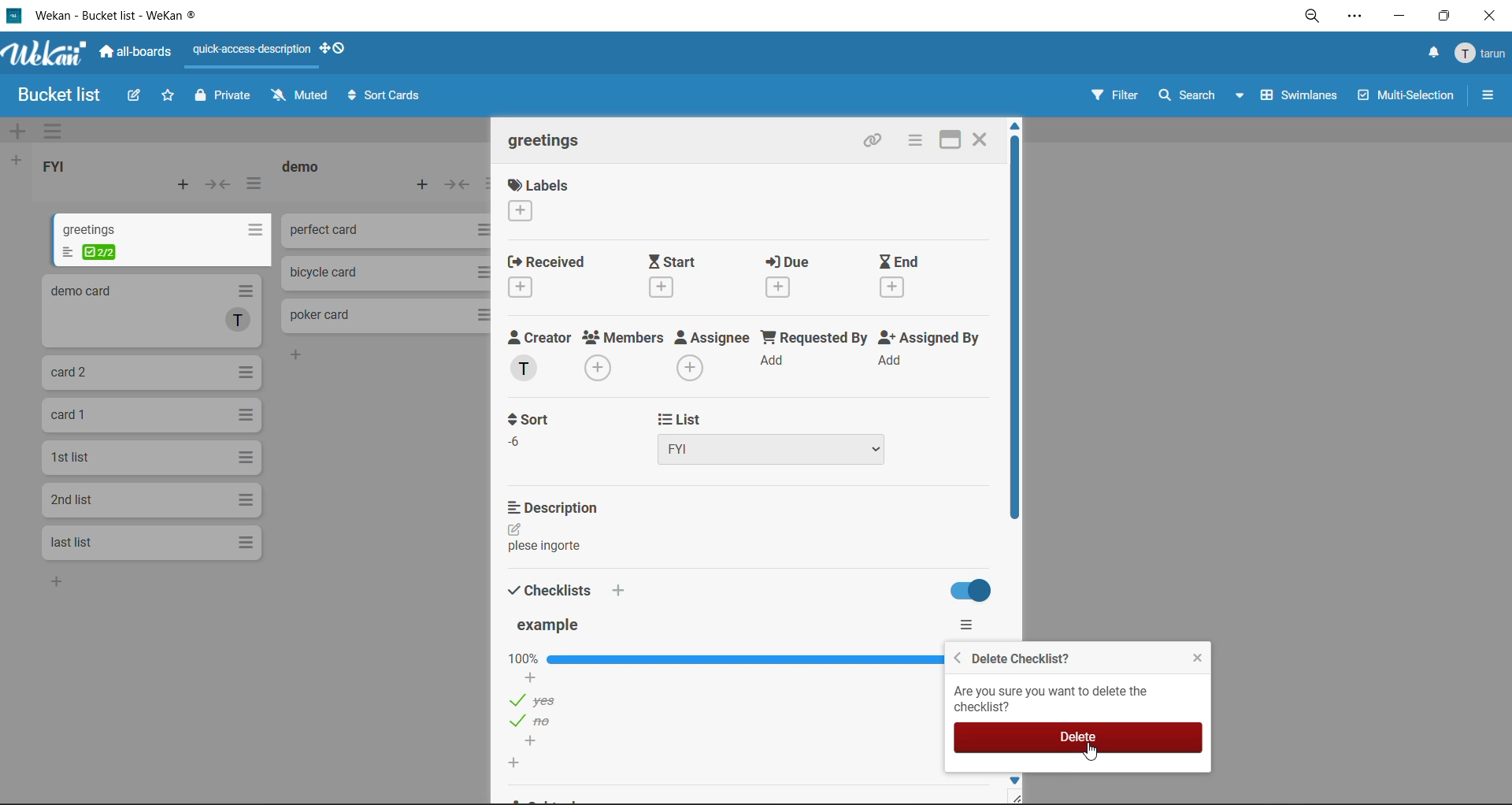 The width and height of the screenshot is (1512, 805). Describe the element at coordinates (163, 239) in the screenshot. I see `cards` at that location.